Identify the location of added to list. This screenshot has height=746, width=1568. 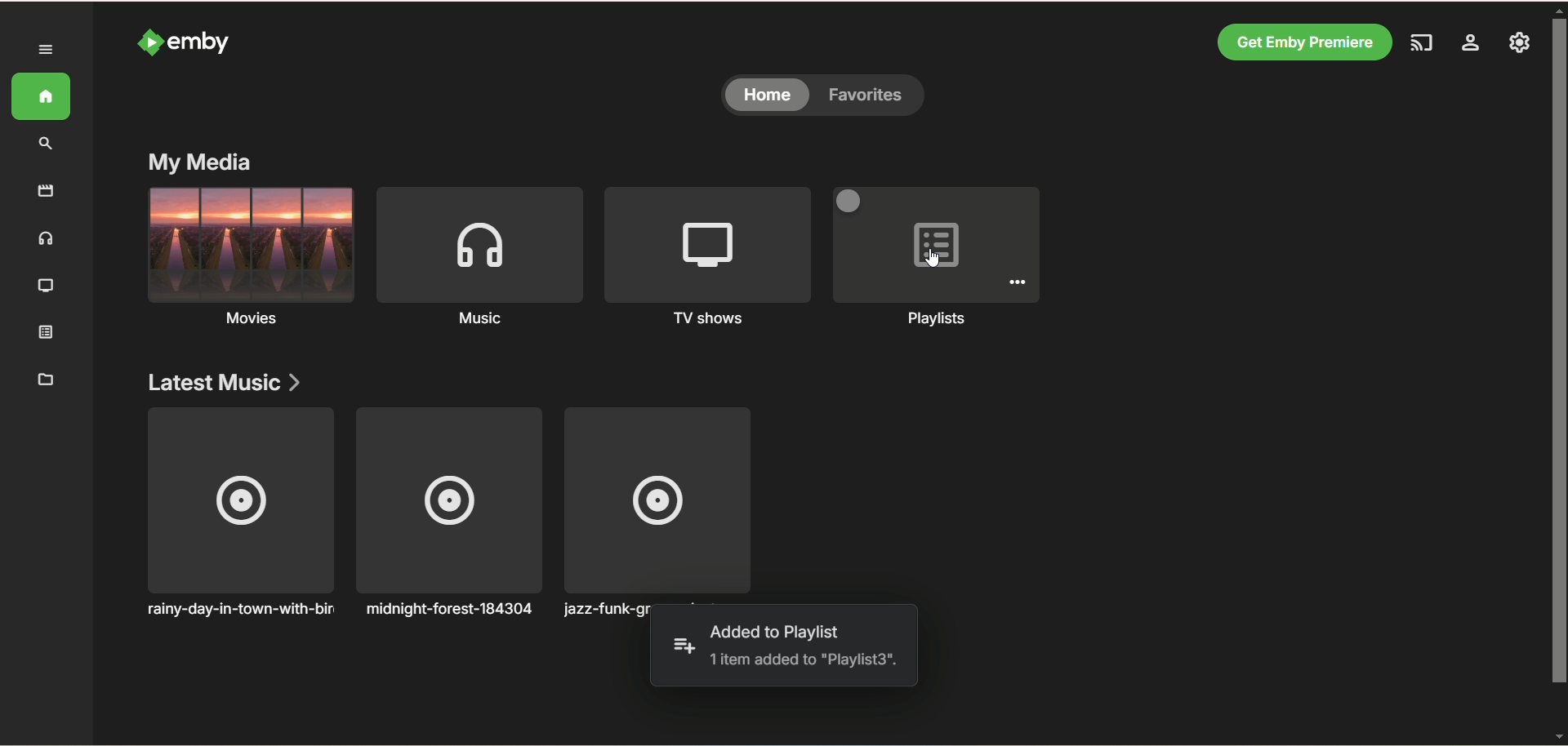
(683, 646).